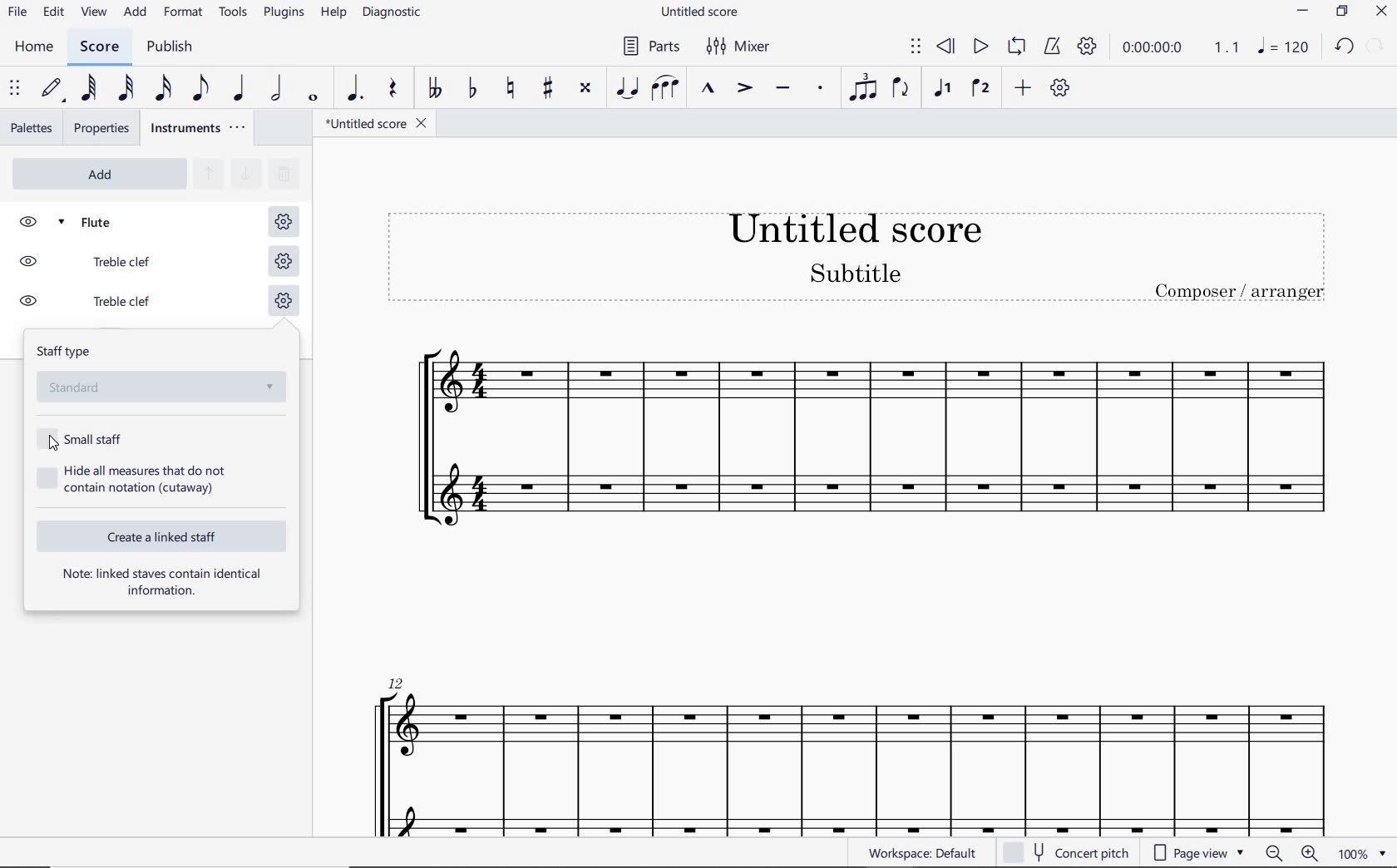 The width and height of the screenshot is (1397, 868). Describe the element at coordinates (708, 89) in the screenshot. I see `MARCATO` at that location.